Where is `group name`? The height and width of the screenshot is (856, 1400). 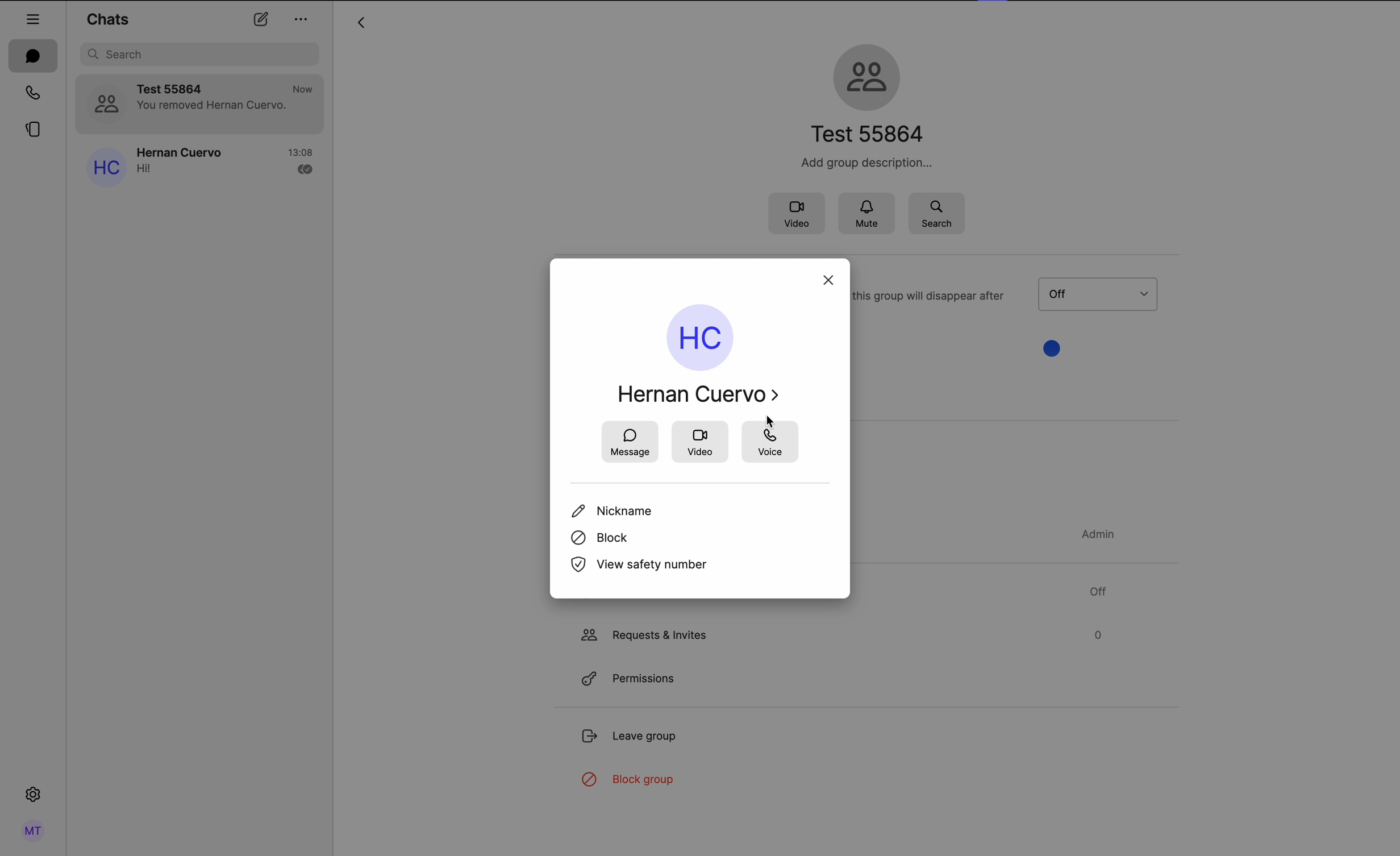 group name is located at coordinates (866, 105).